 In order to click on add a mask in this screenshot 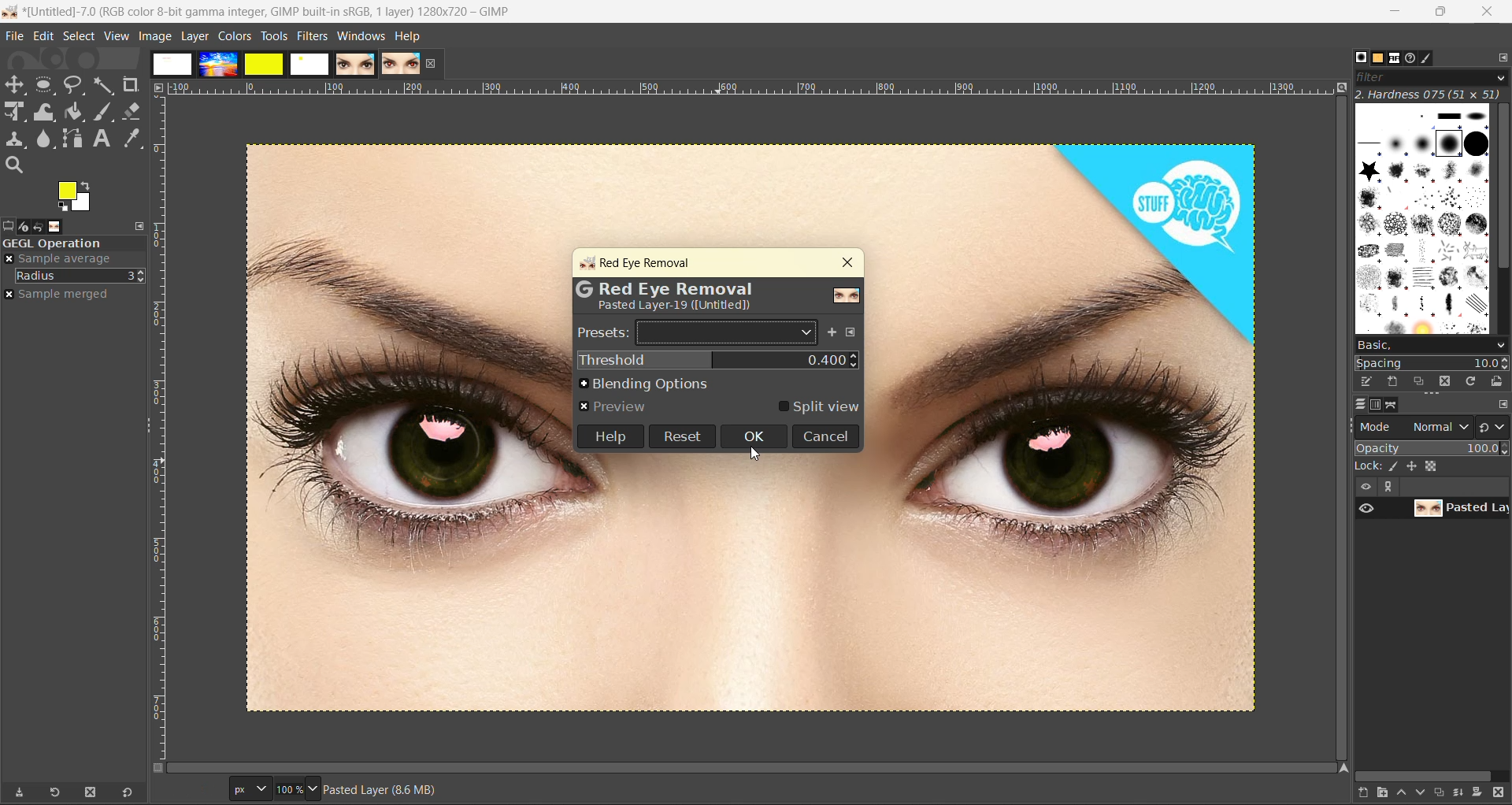, I will do `click(1482, 795)`.